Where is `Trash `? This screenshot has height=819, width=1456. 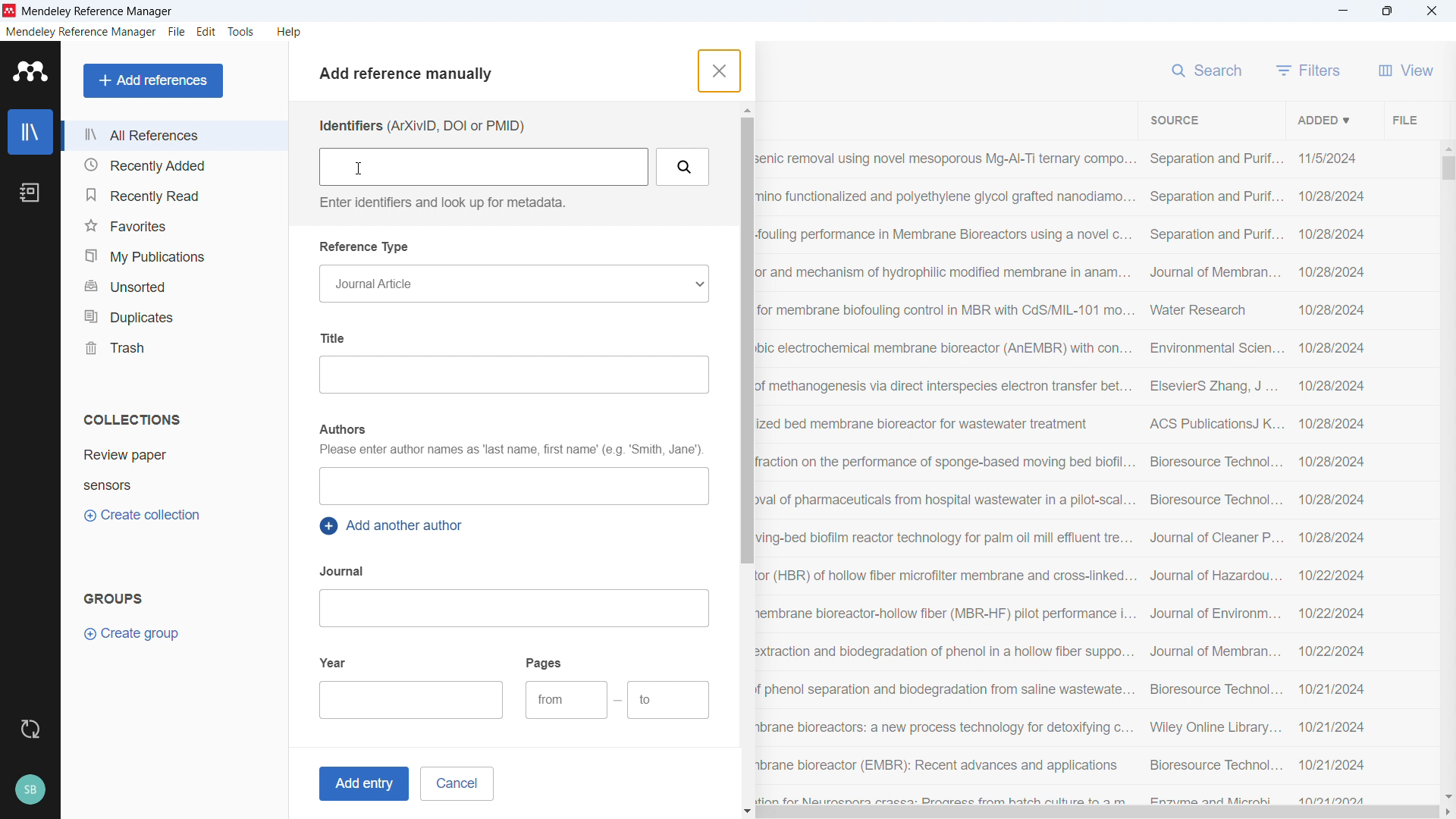 Trash  is located at coordinates (173, 347).